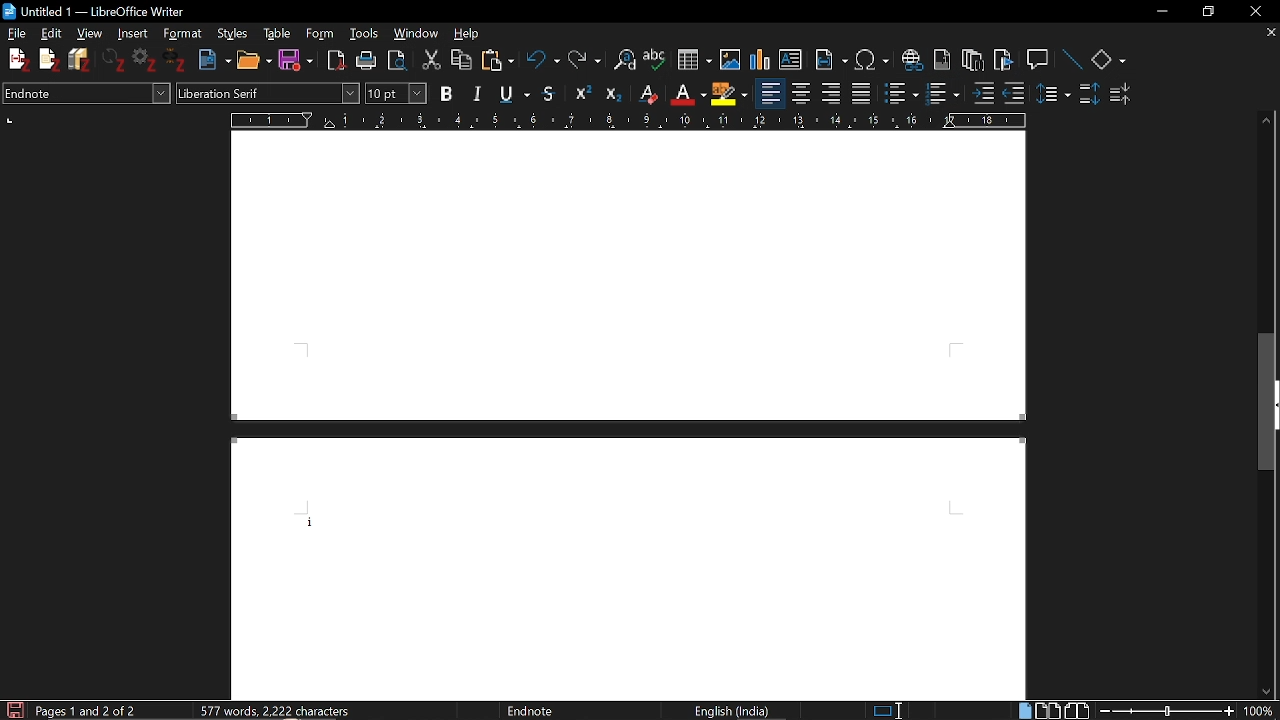 Image resolution: width=1280 pixels, height=720 pixels. Describe the element at coordinates (792, 60) in the screenshot. I see `Insert text` at that location.